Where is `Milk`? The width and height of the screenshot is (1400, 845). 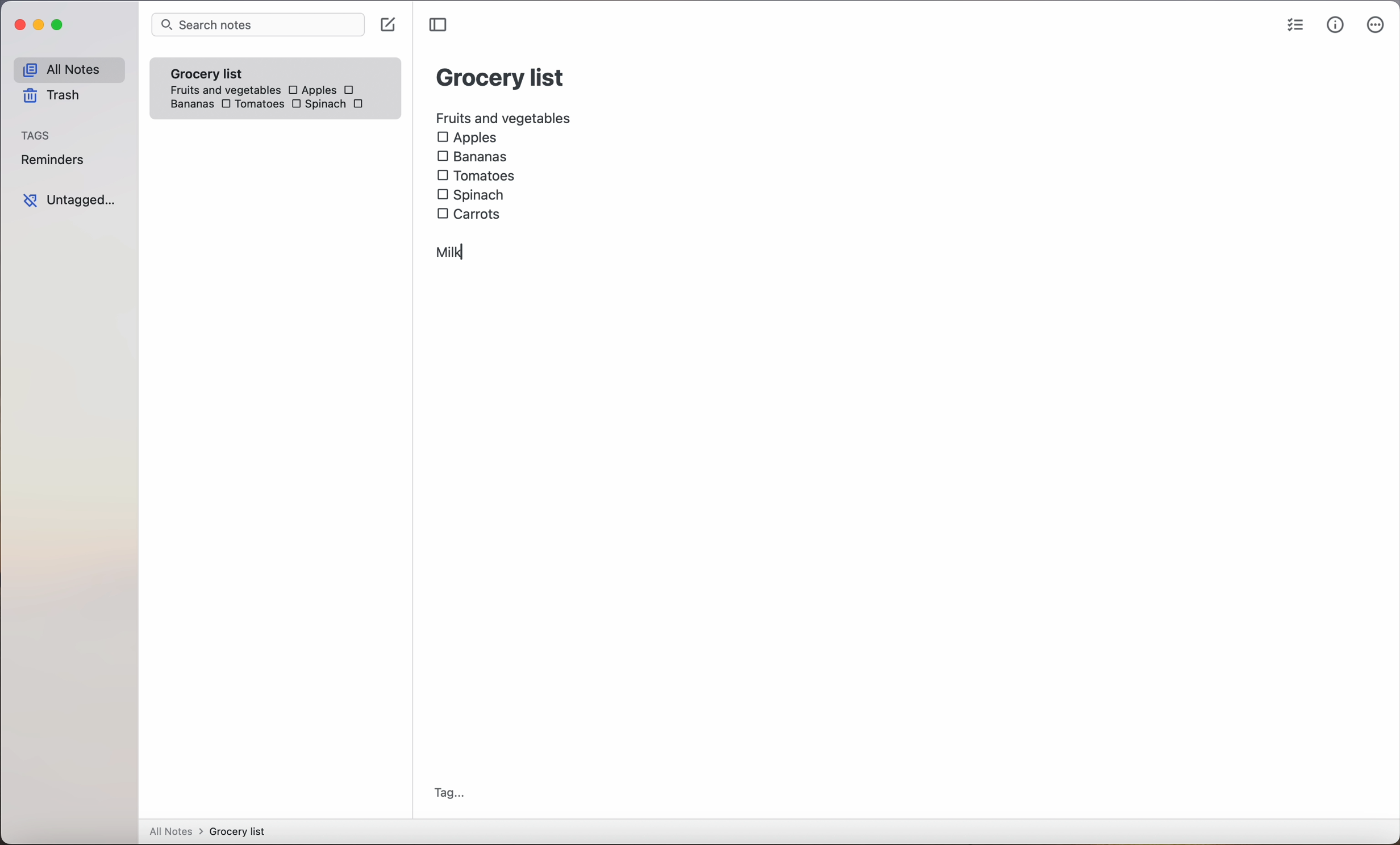 Milk is located at coordinates (451, 251).